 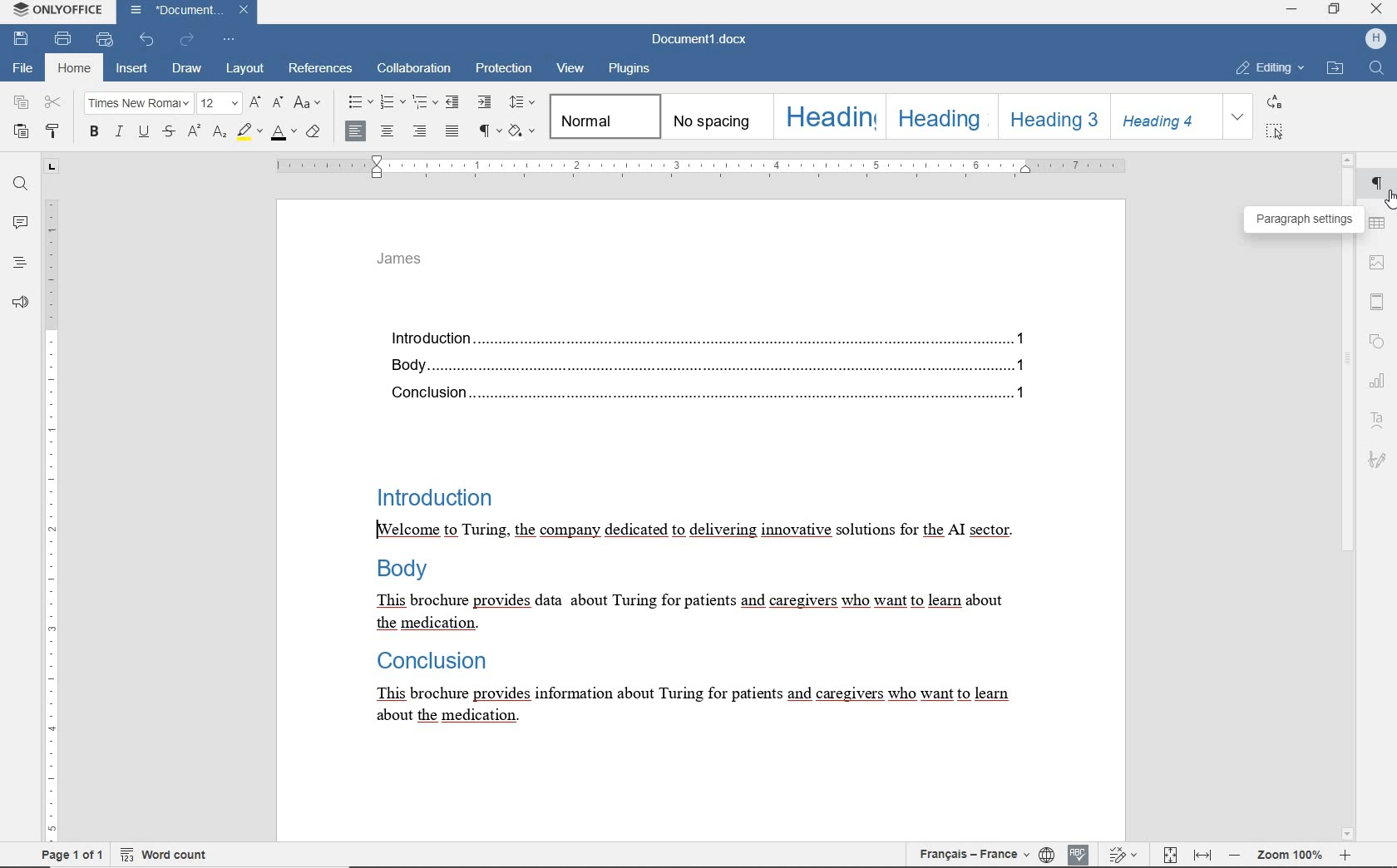 What do you see at coordinates (54, 103) in the screenshot?
I see `cut` at bounding box center [54, 103].